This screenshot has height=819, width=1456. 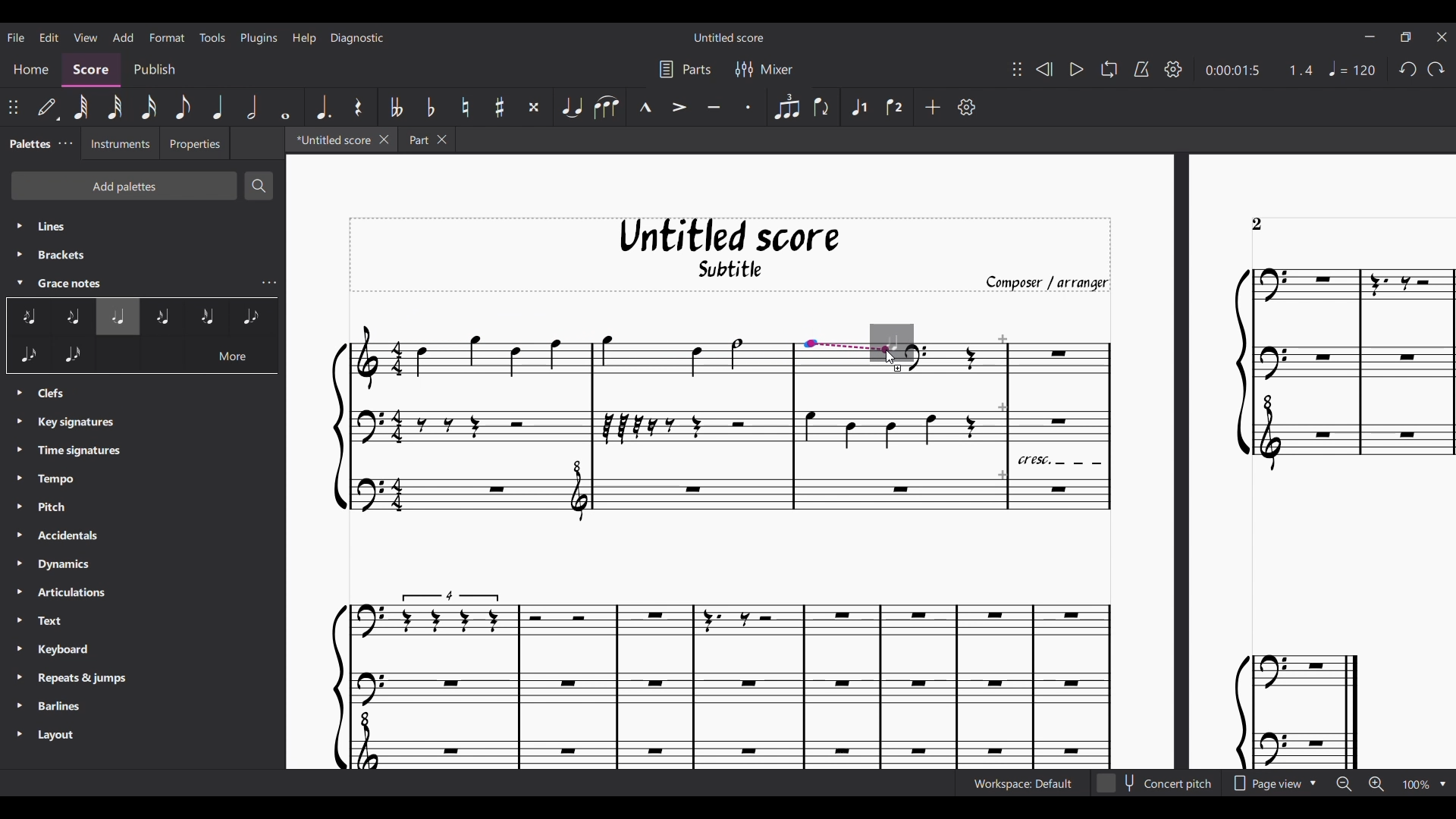 What do you see at coordinates (607, 107) in the screenshot?
I see `Slur` at bounding box center [607, 107].